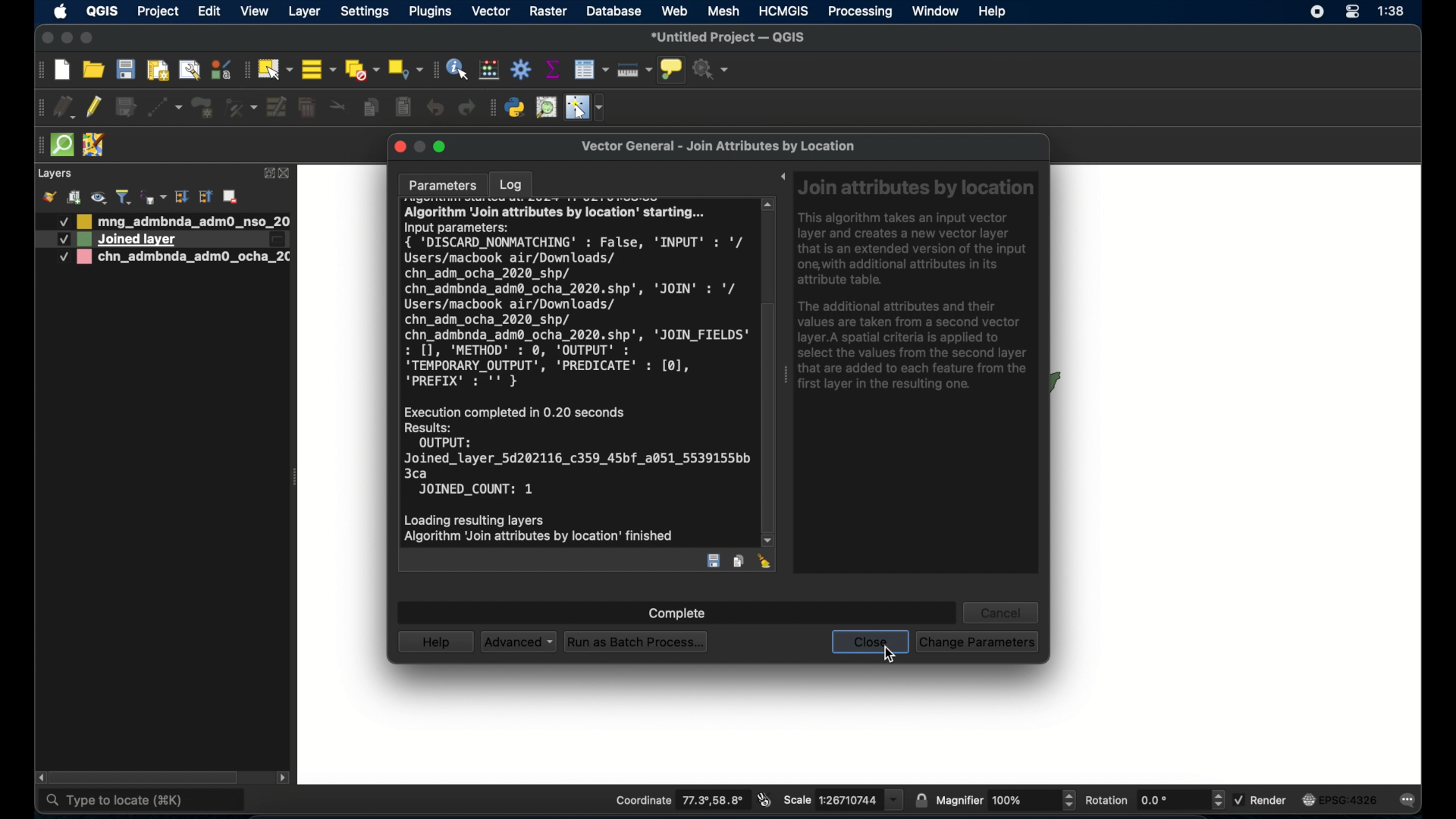  I want to click on select all features, so click(318, 69).